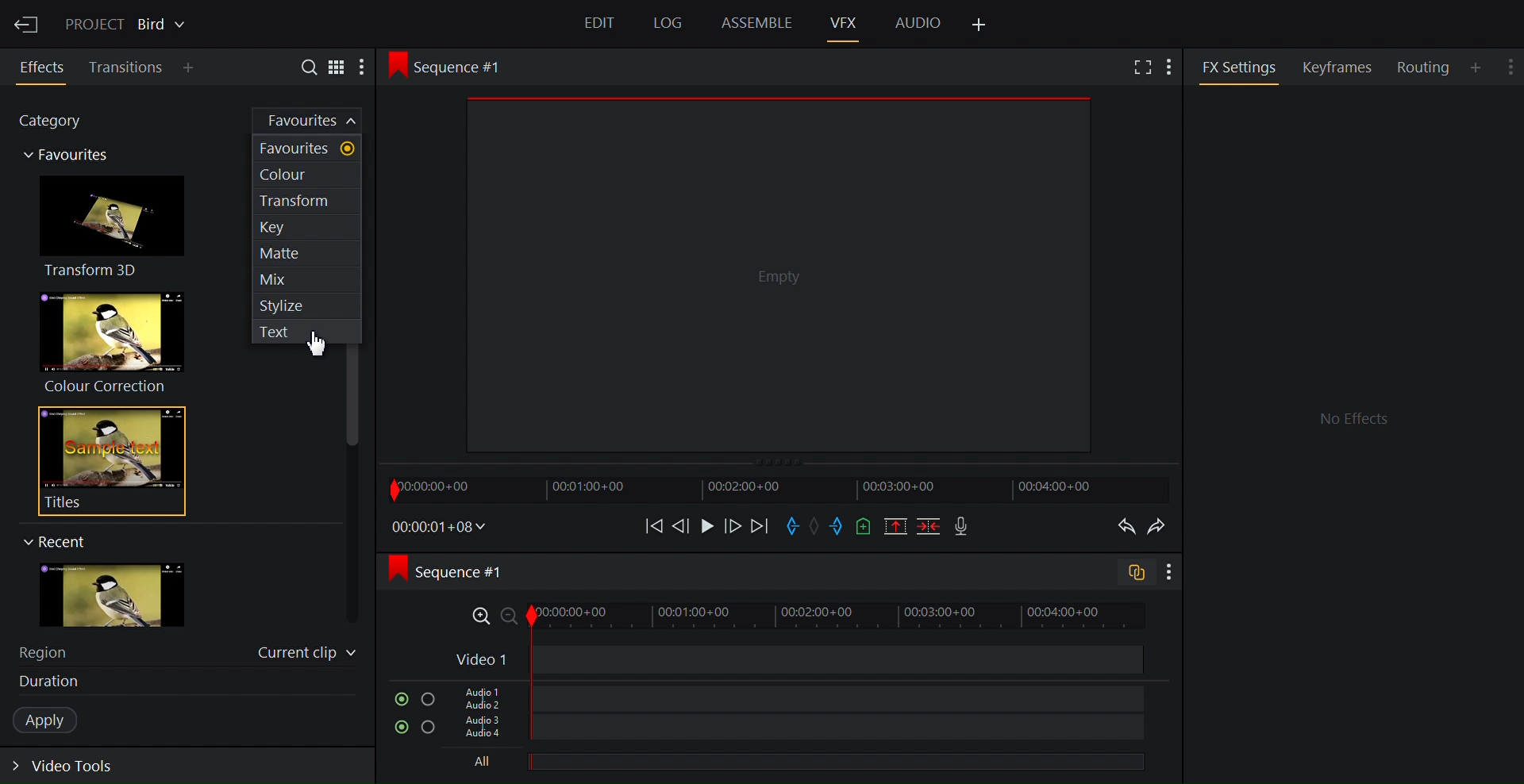 The image size is (1524, 784). What do you see at coordinates (308, 228) in the screenshot?
I see `Key` at bounding box center [308, 228].